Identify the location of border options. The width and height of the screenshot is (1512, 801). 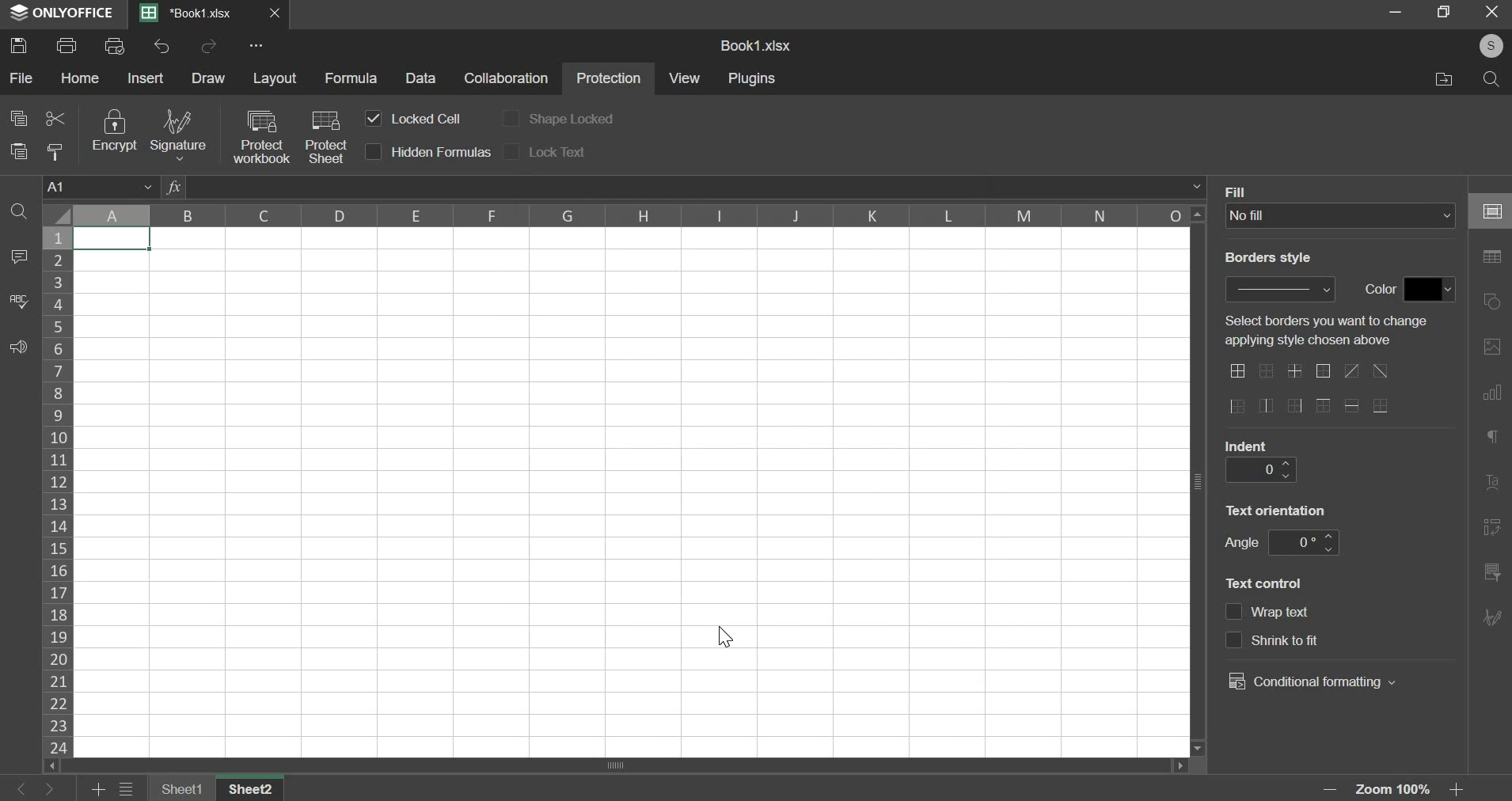
(1380, 406).